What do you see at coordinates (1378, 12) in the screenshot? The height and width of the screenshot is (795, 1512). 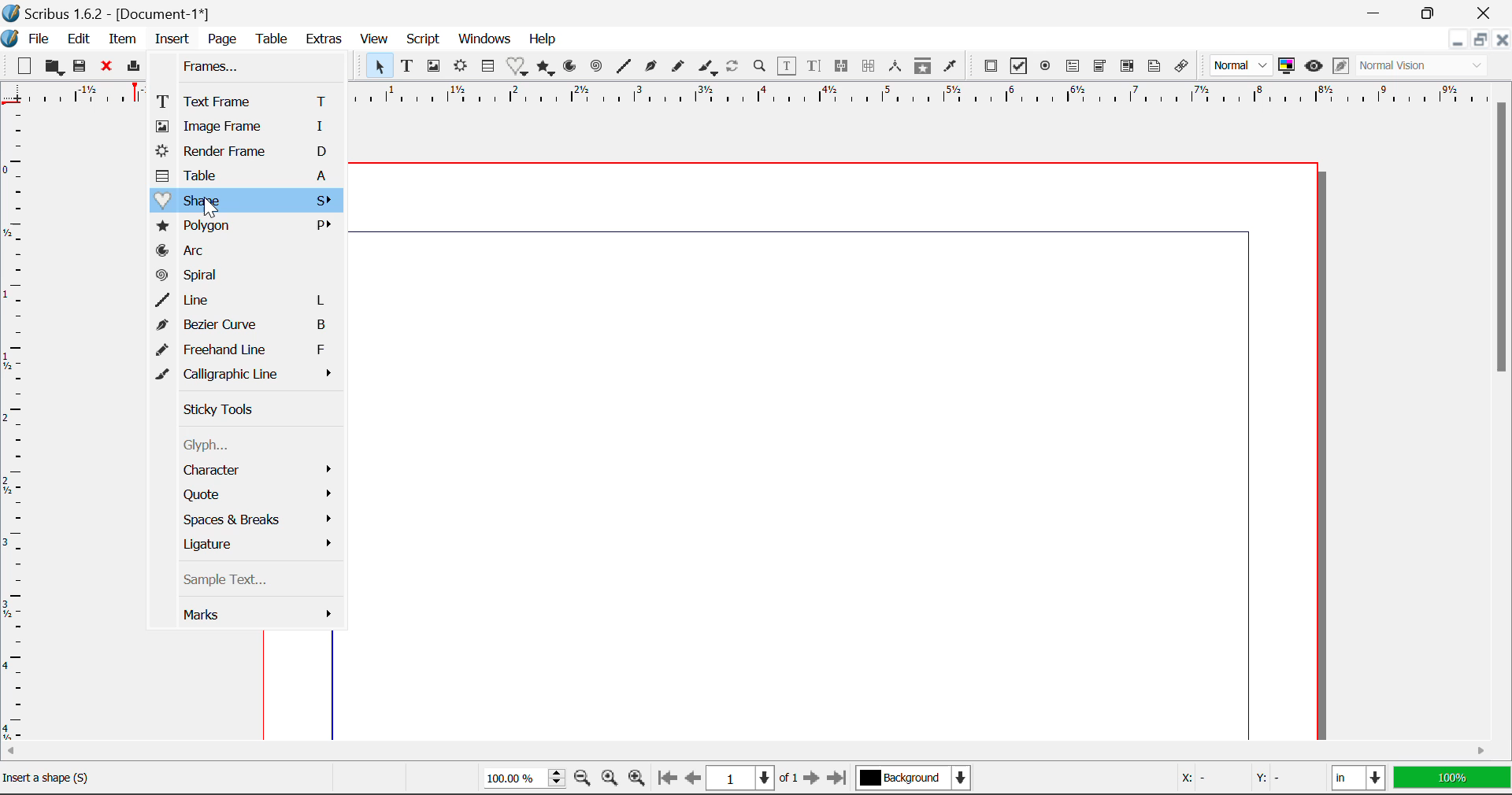 I see `Restore Down` at bounding box center [1378, 12].